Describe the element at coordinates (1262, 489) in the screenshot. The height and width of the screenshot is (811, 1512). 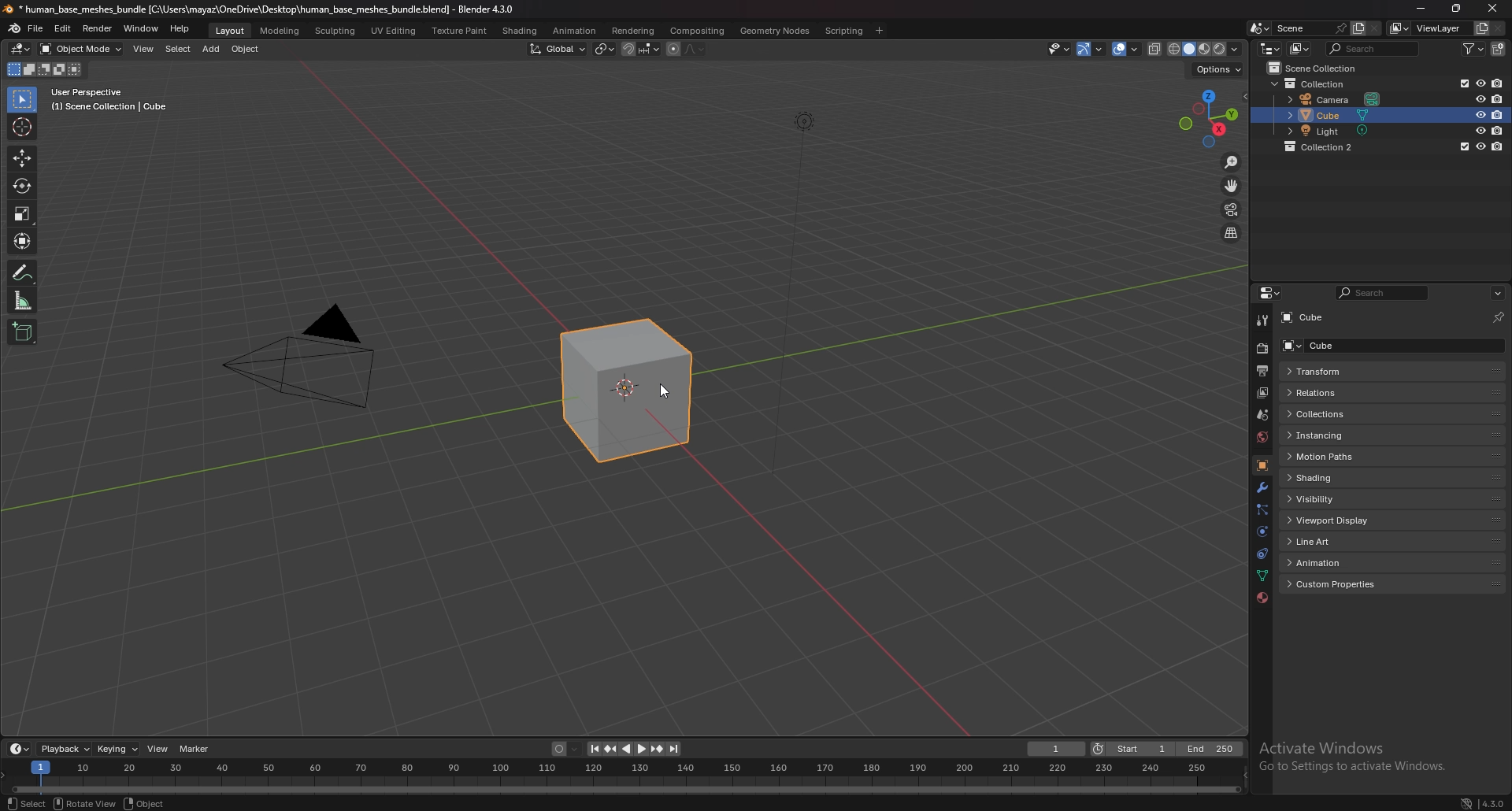
I see `modifier` at that location.